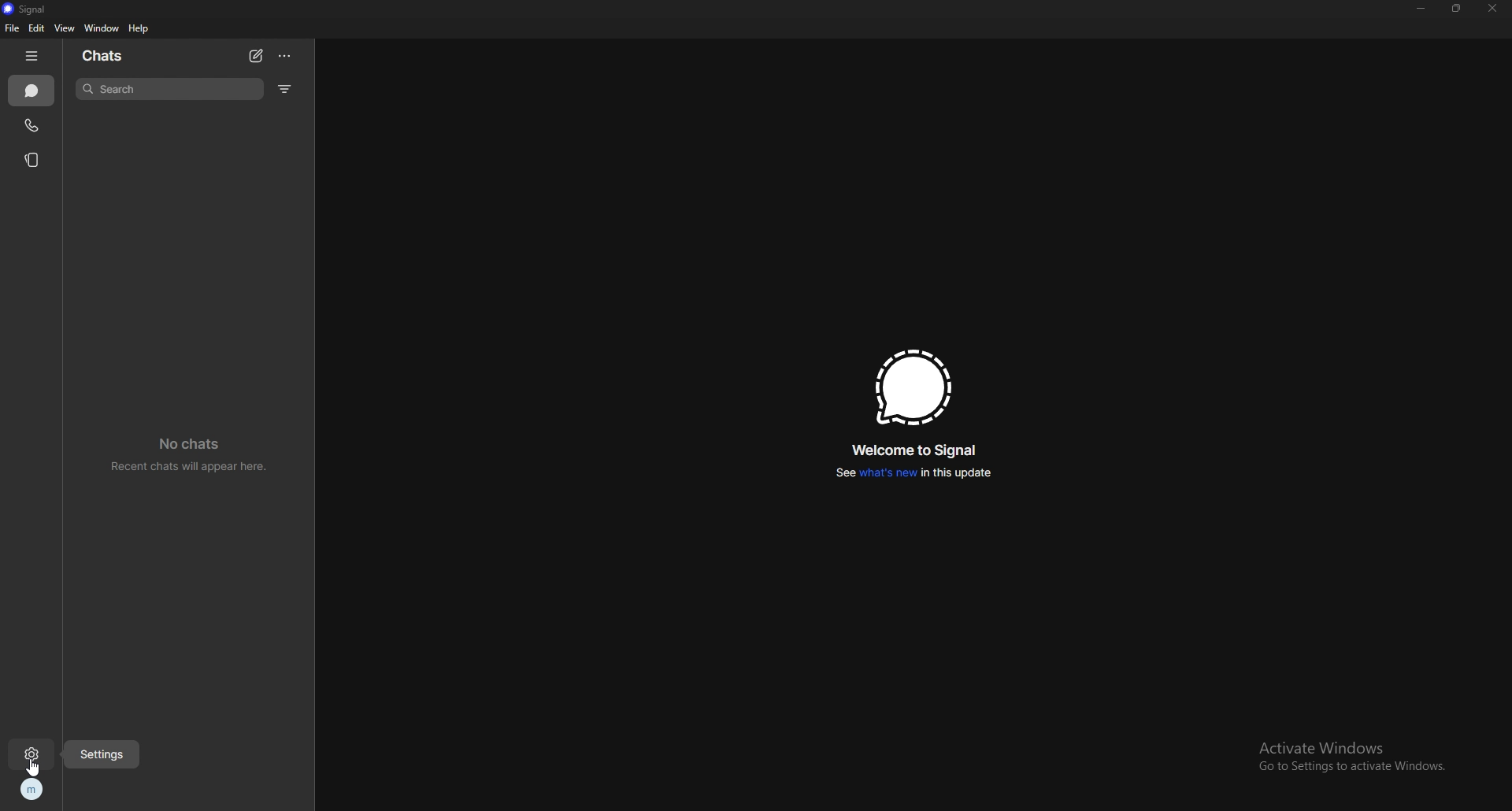 The width and height of the screenshot is (1512, 811). Describe the element at coordinates (286, 57) in the screenshot. I see `options` at that location.